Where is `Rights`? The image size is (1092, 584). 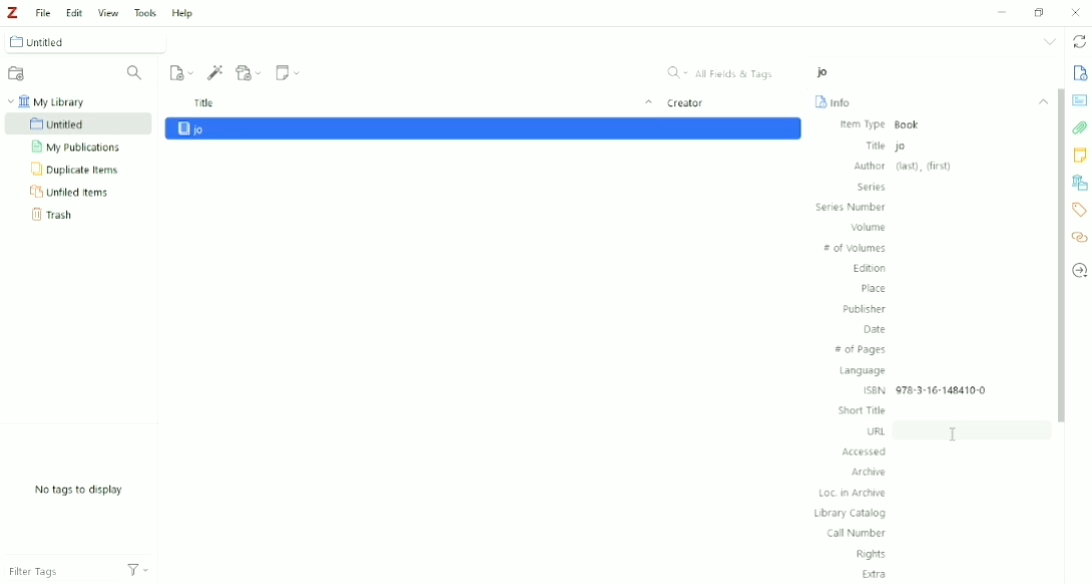 Rights is located at coordinates (870, 555).